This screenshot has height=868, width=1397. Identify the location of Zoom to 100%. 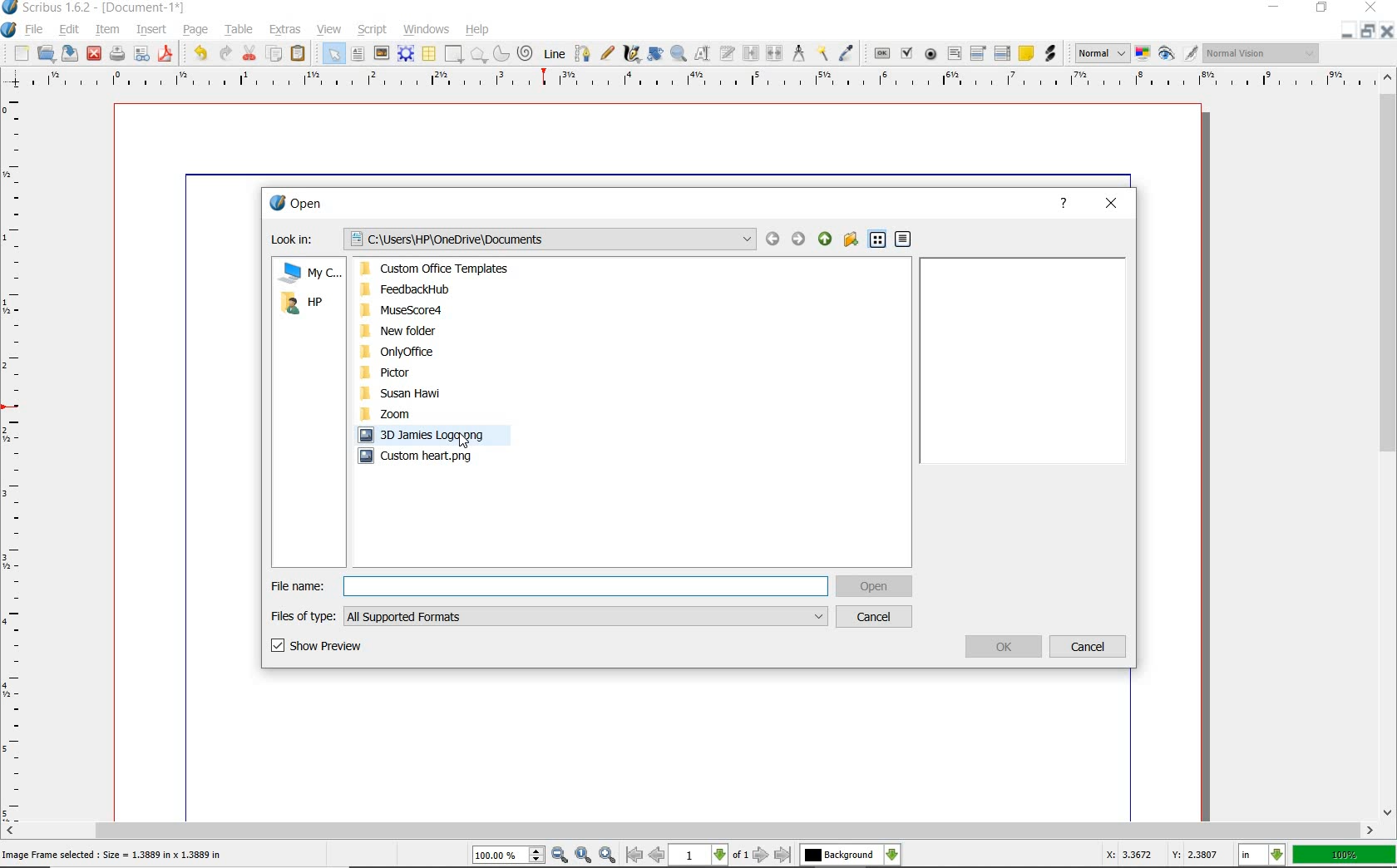
(584, 855).